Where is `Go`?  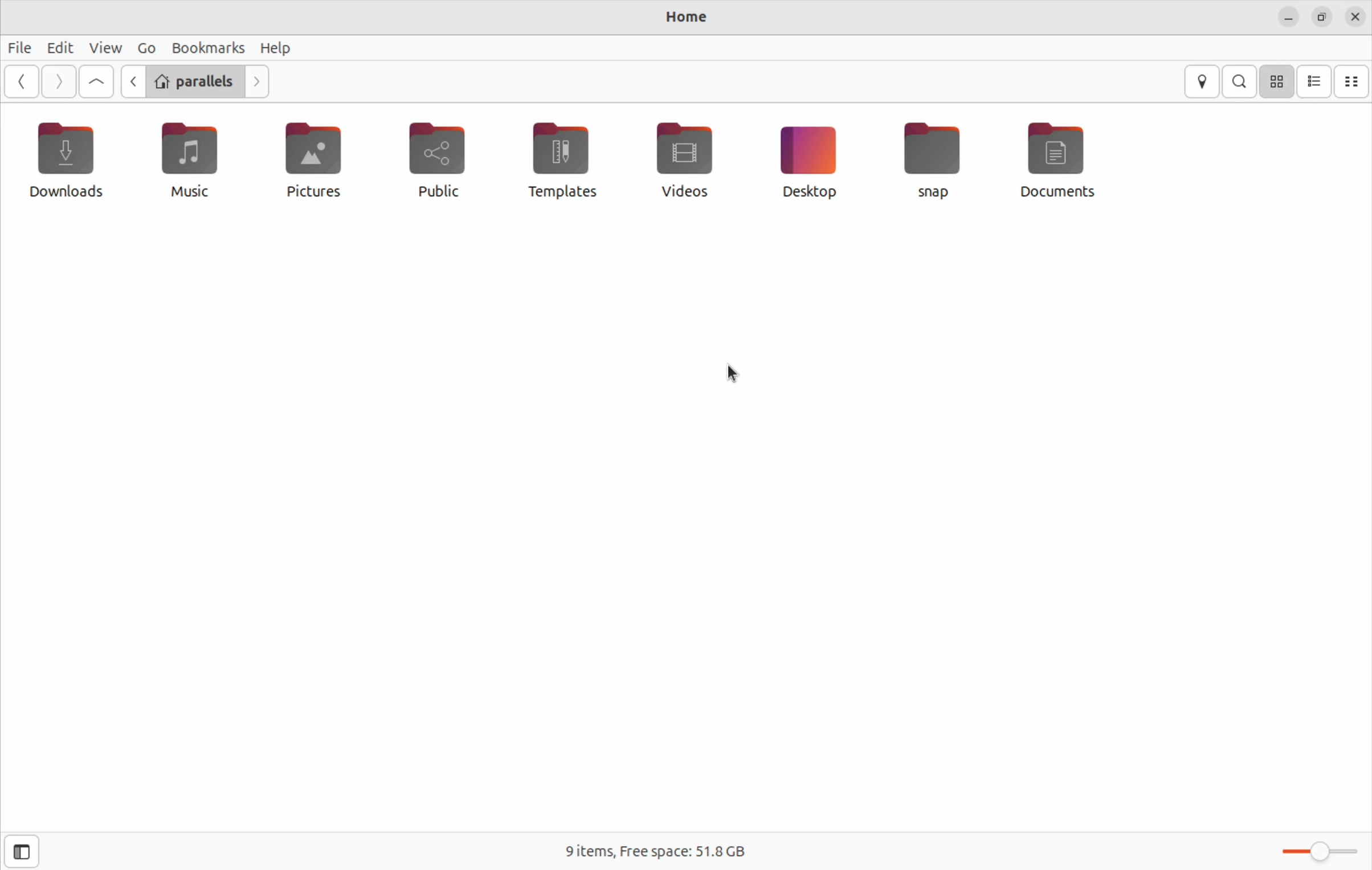 Go is located at coordinates (145, 47).